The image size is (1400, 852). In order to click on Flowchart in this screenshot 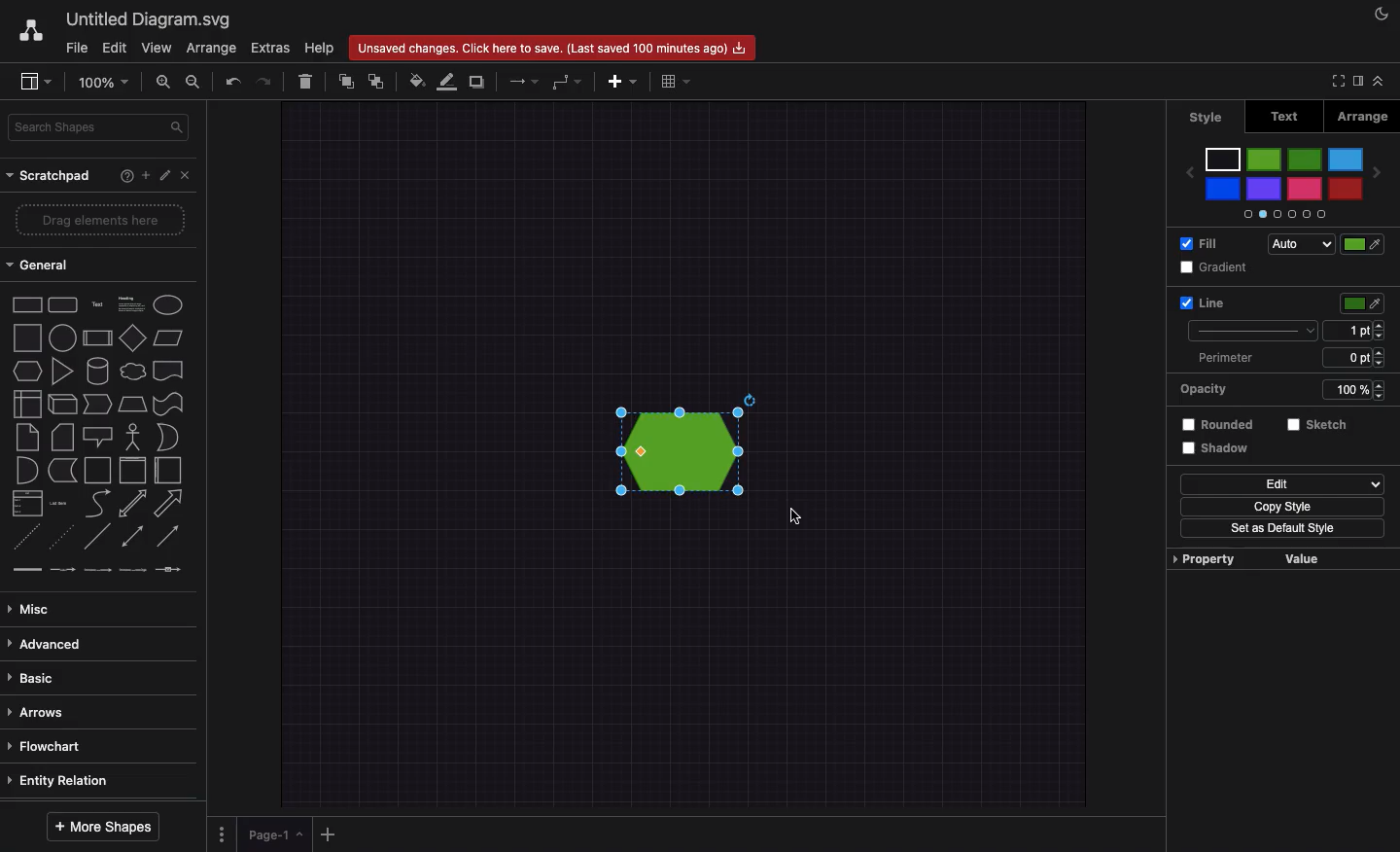, I will do `click(48, 748)`.